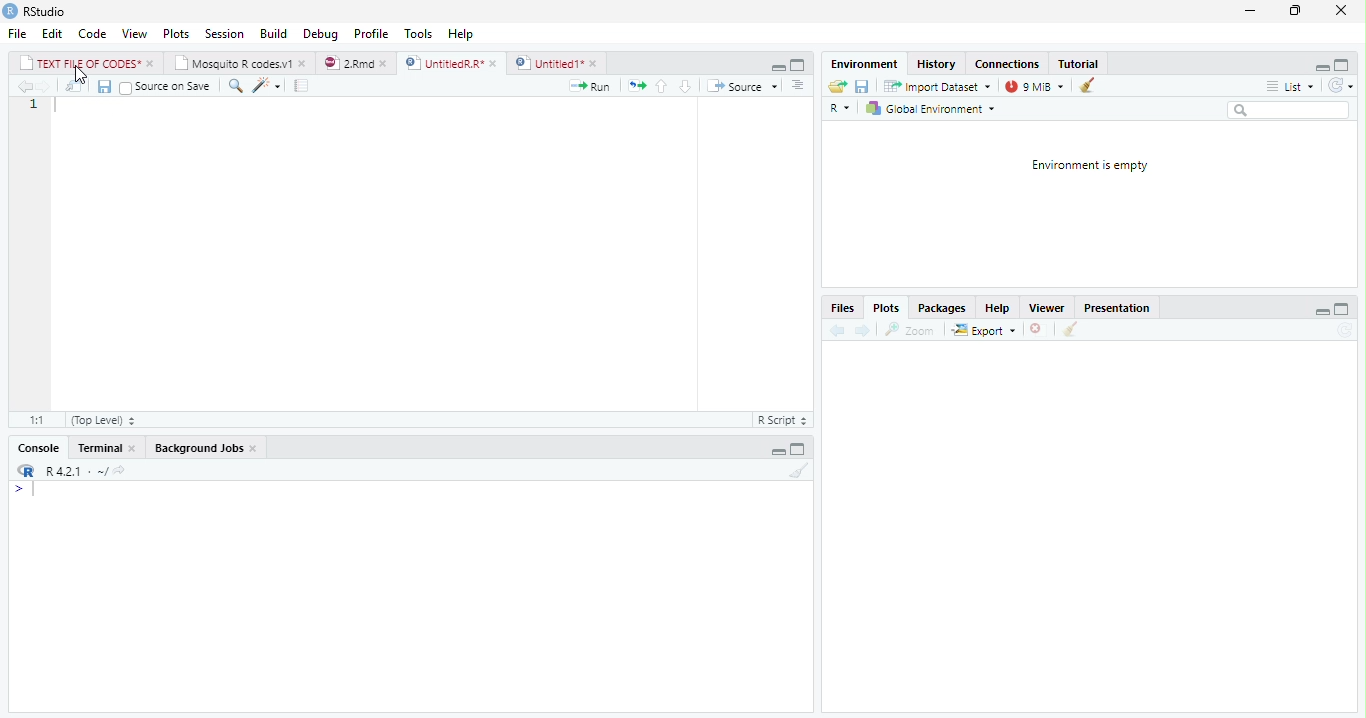 The image size is (1366, 718). Describe the element at coordinates (1009, 64) in the screenshot. I see `connections` at that location.